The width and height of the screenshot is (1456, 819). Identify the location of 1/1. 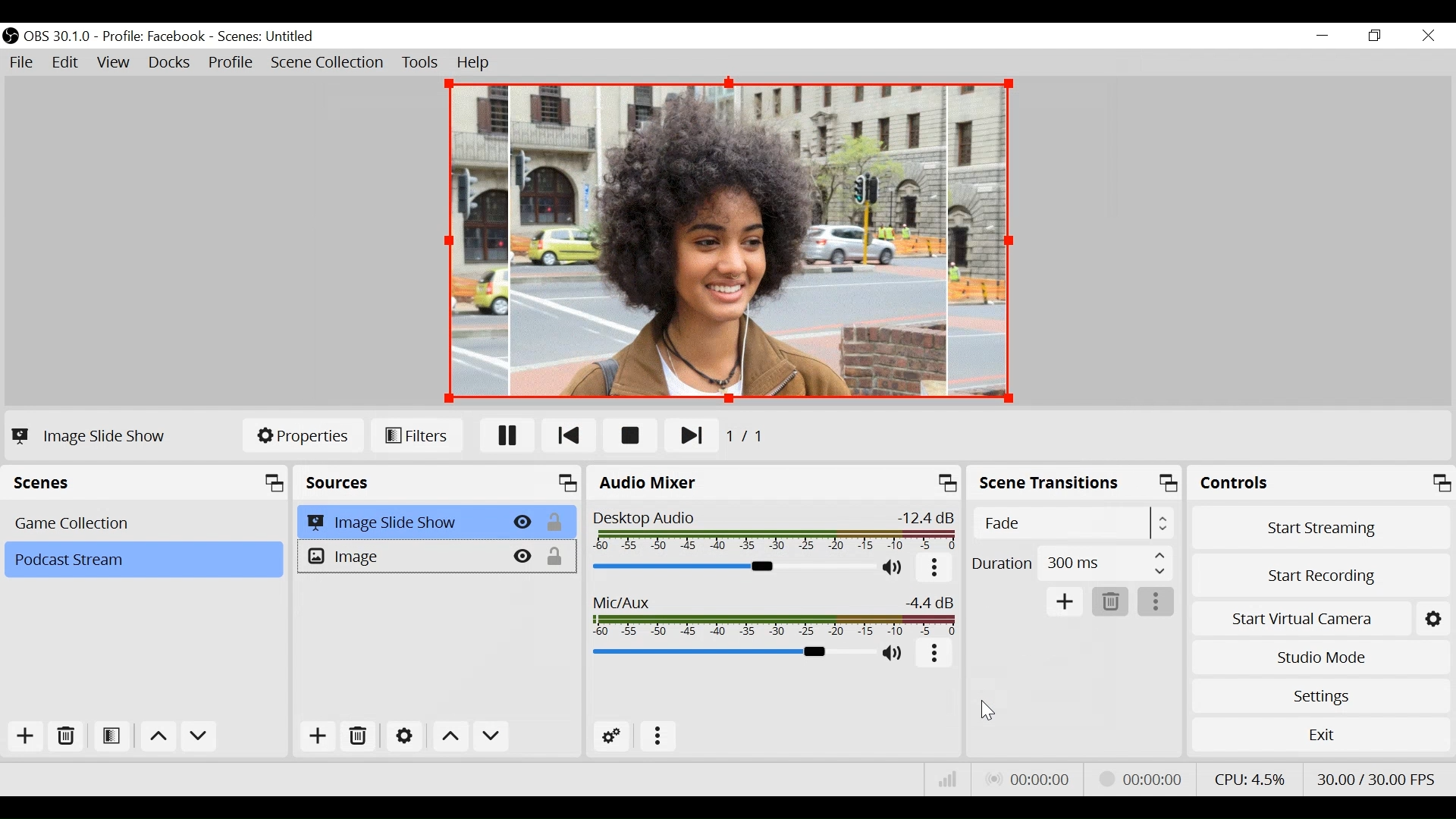
(751, 437).